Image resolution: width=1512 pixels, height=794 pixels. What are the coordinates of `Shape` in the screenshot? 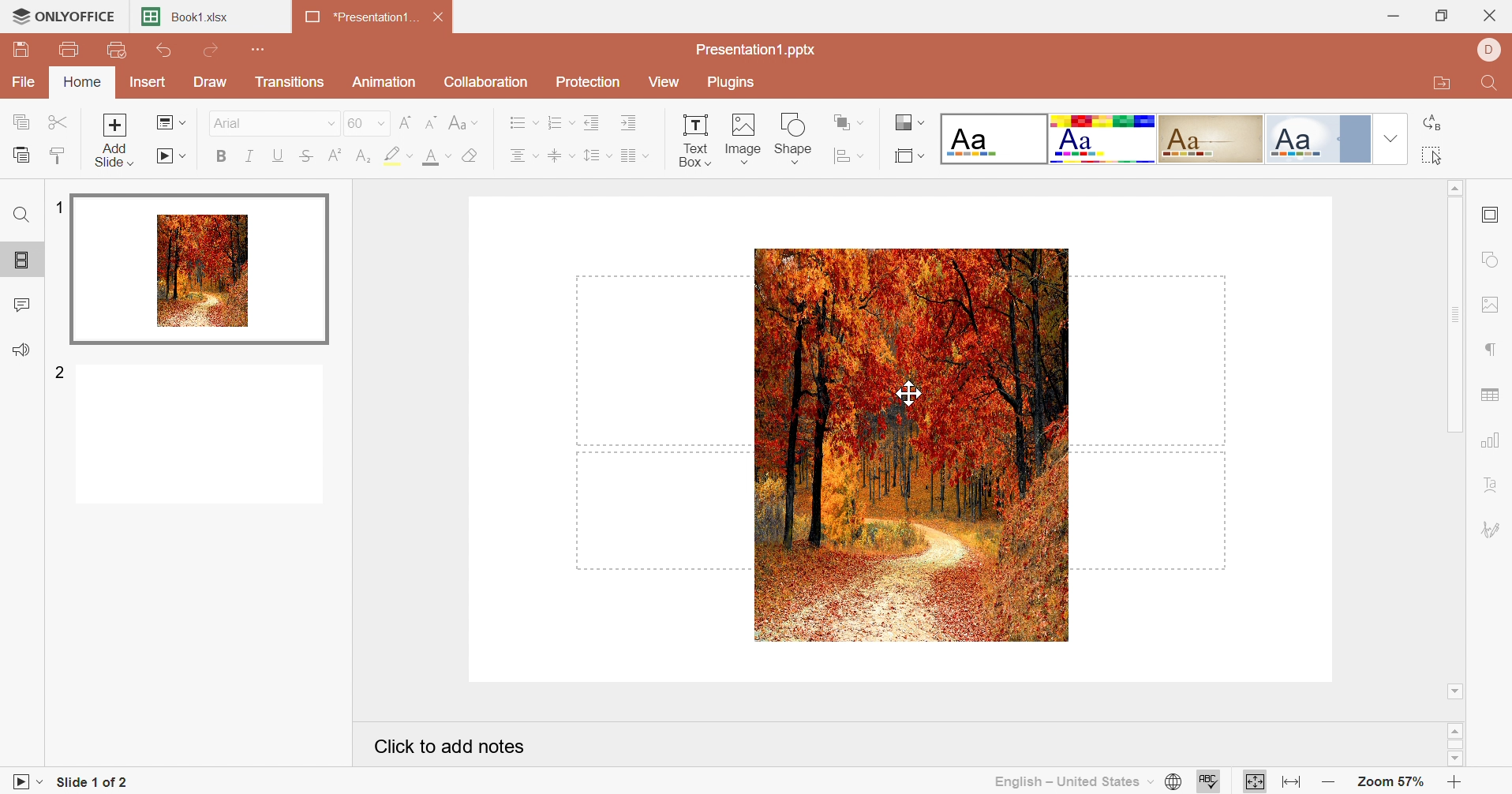 It's located at (796, 137).